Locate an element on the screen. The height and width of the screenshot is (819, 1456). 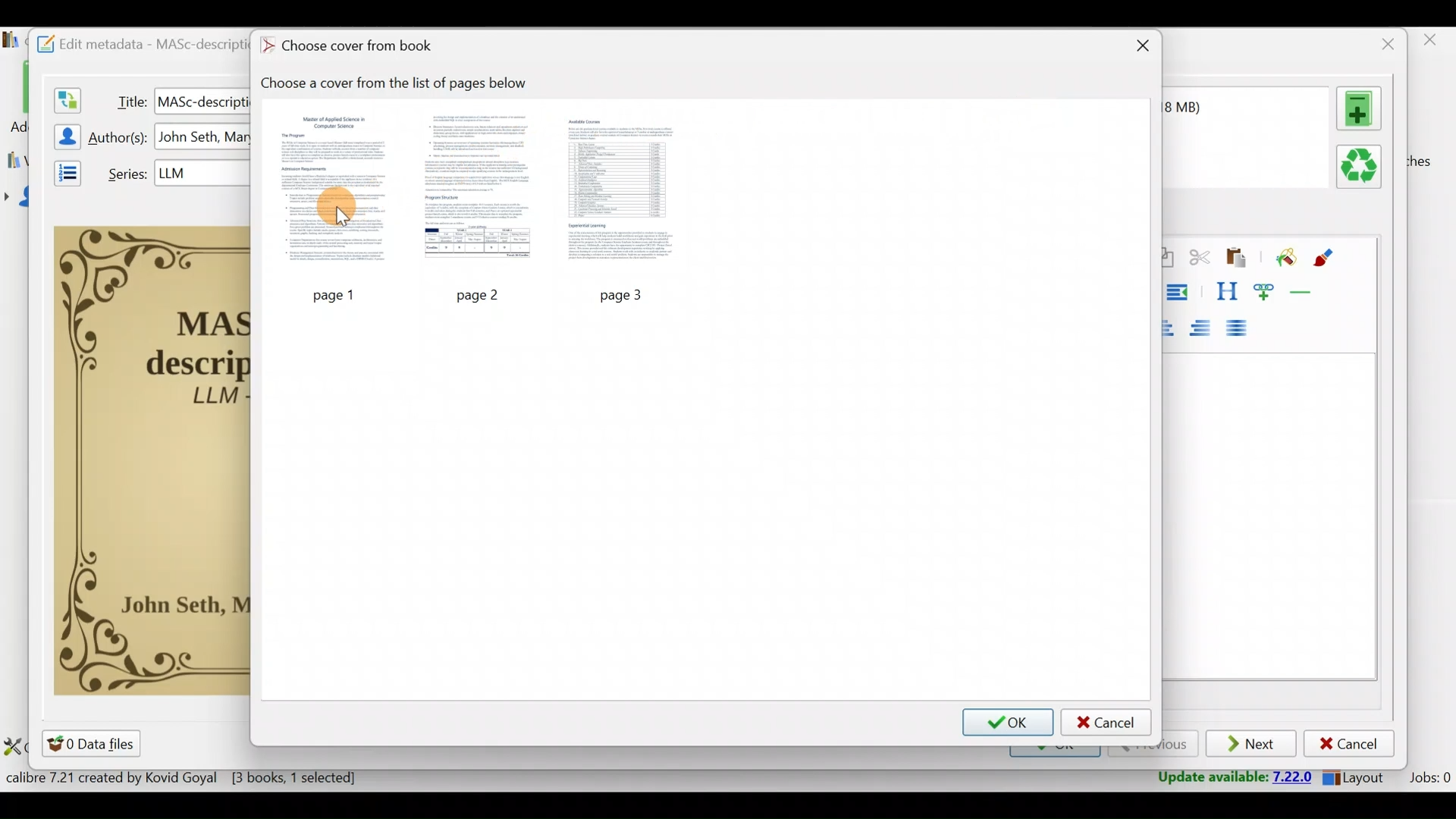
 Close is located at coordinates (1432, 44).